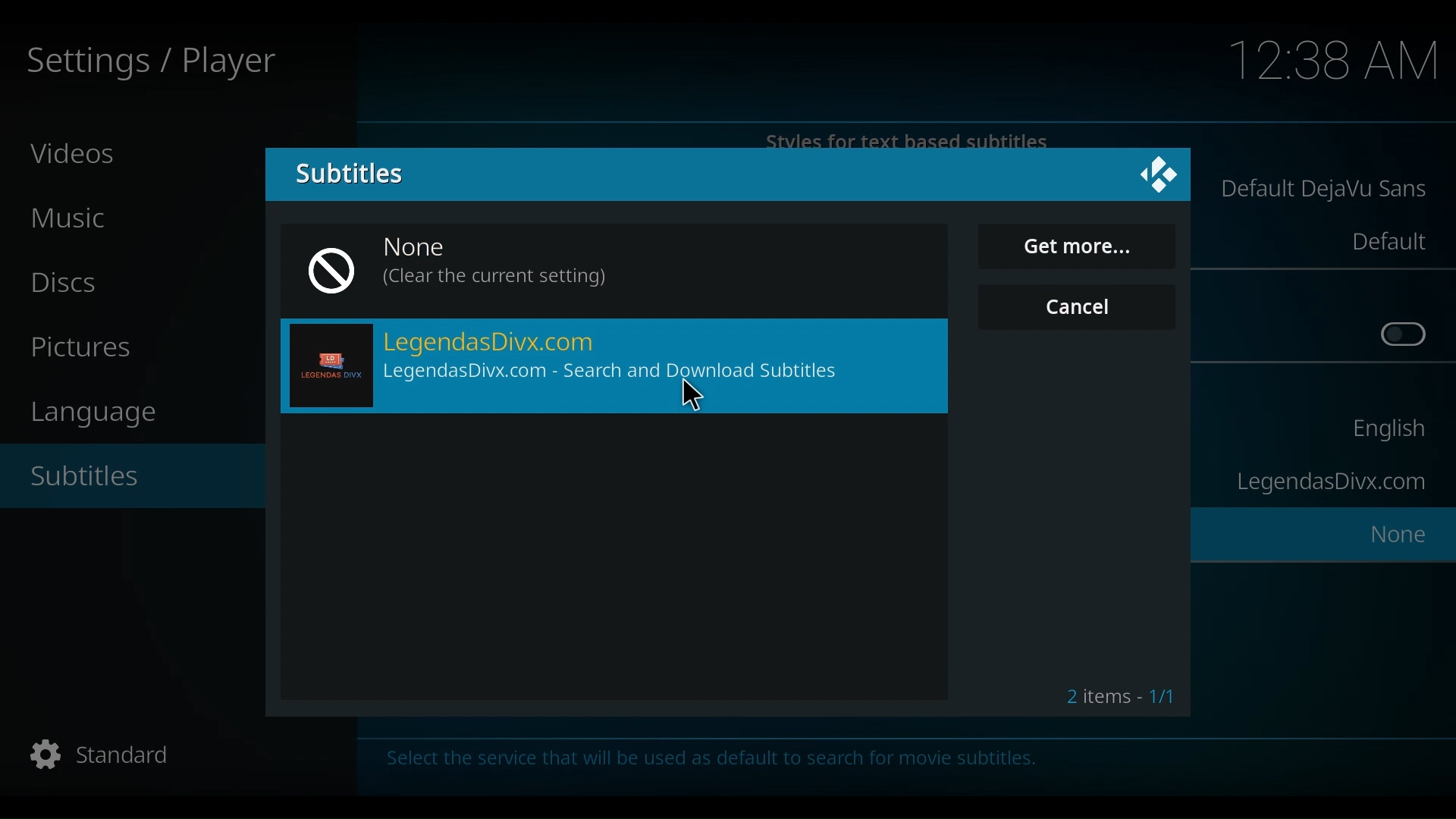 This screenshot has width=1456, height=819. What do you see at coordinates (350, 174) in the screenshot?
I see `Subtitles` at bounding box center [350, 174].